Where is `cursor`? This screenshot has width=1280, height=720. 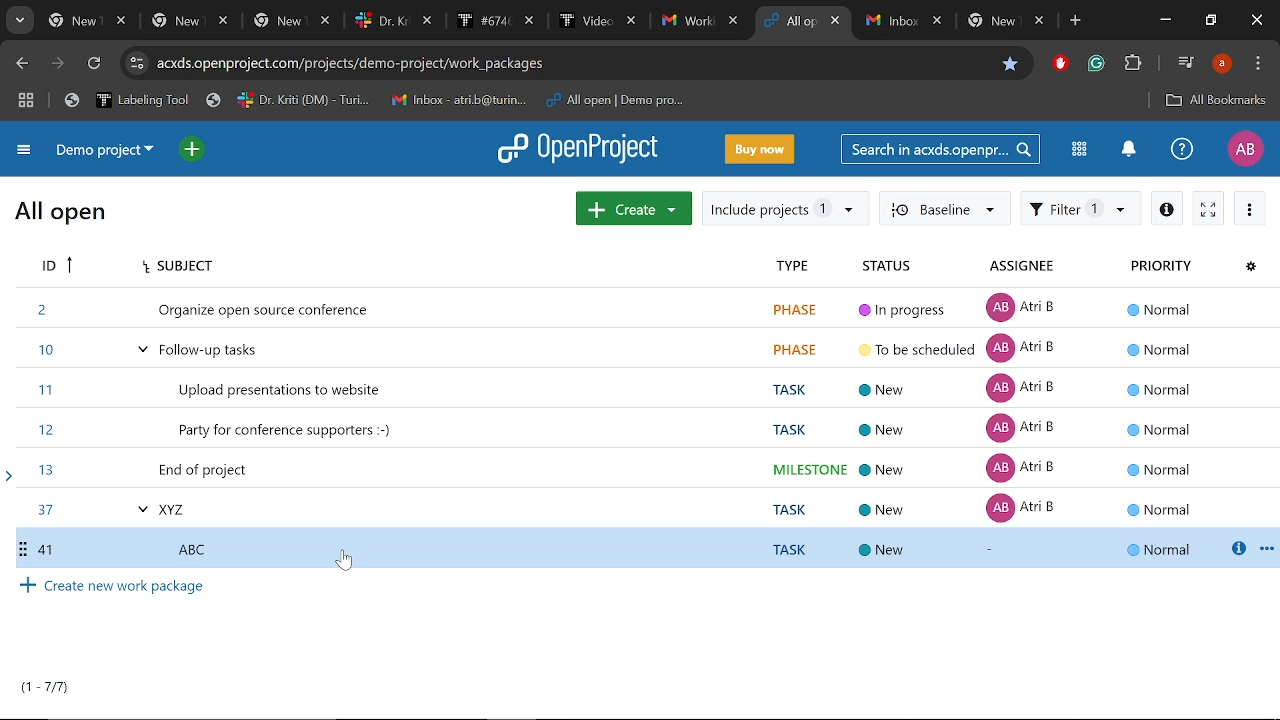
cursor is located at coordinates (348, 565).